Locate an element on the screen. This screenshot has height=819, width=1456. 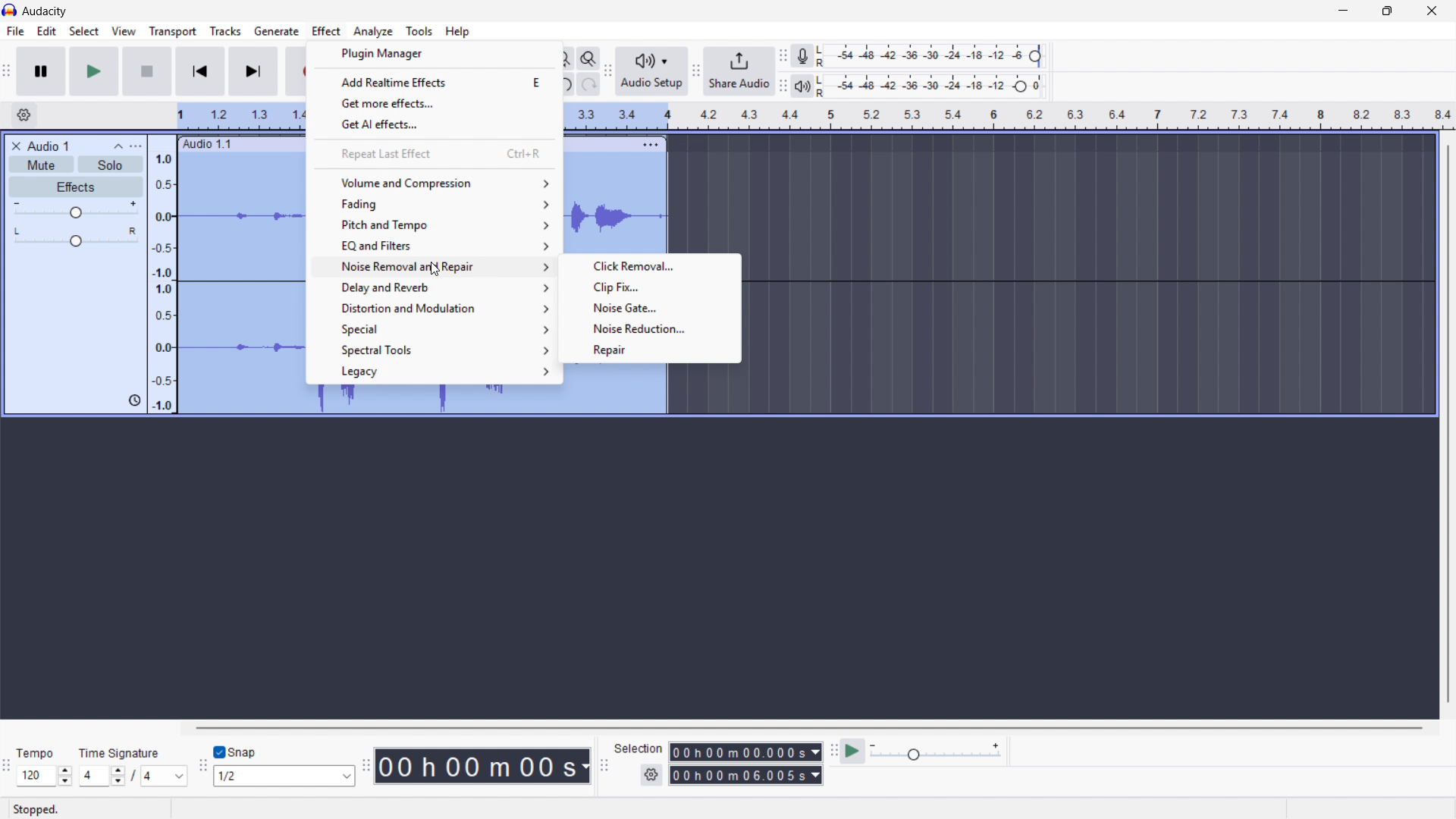
Noise removal and repair  is located at coordinates (434, 268).